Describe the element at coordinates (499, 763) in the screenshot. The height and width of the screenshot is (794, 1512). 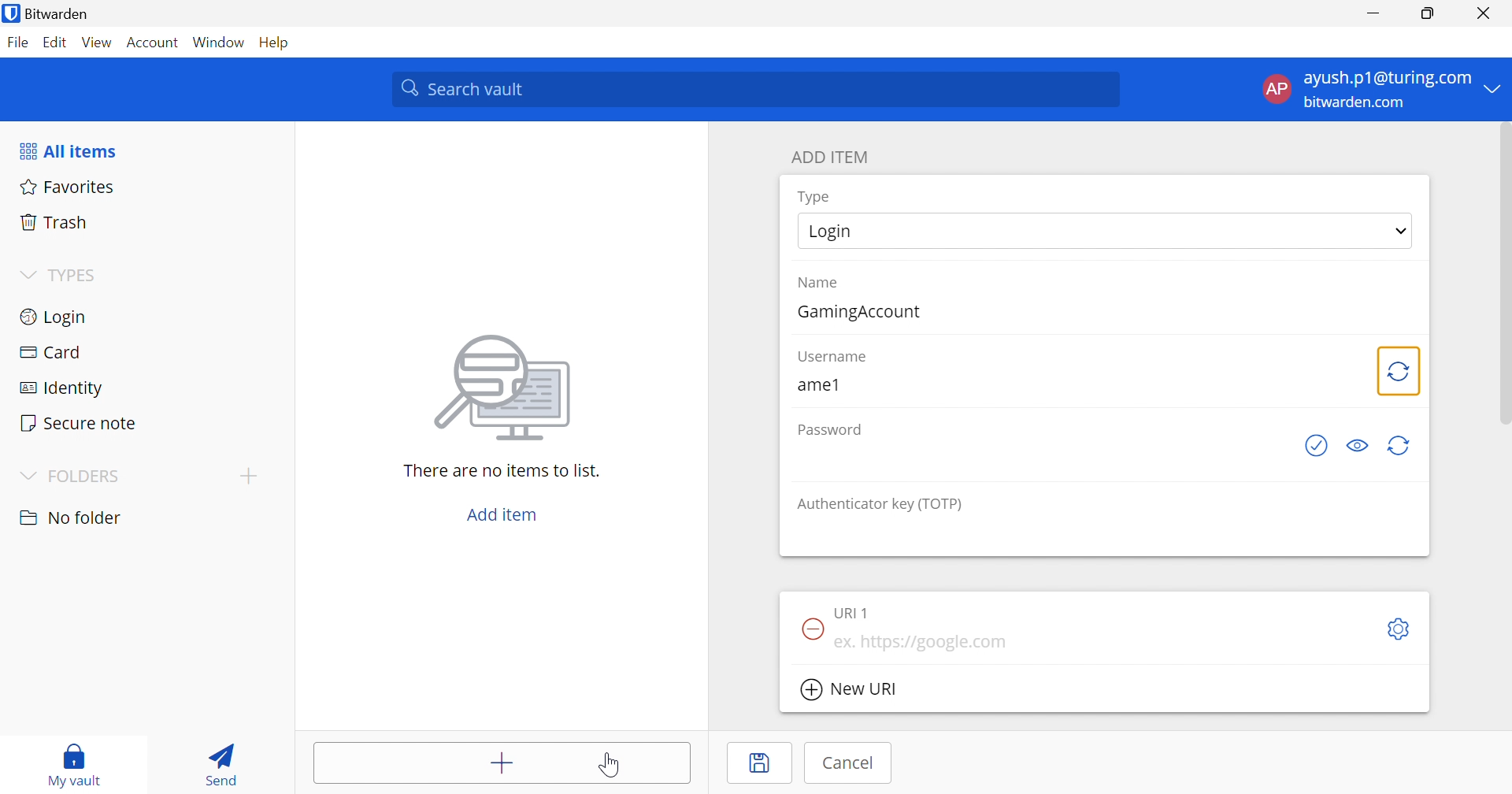
I see `Add items` at that location.